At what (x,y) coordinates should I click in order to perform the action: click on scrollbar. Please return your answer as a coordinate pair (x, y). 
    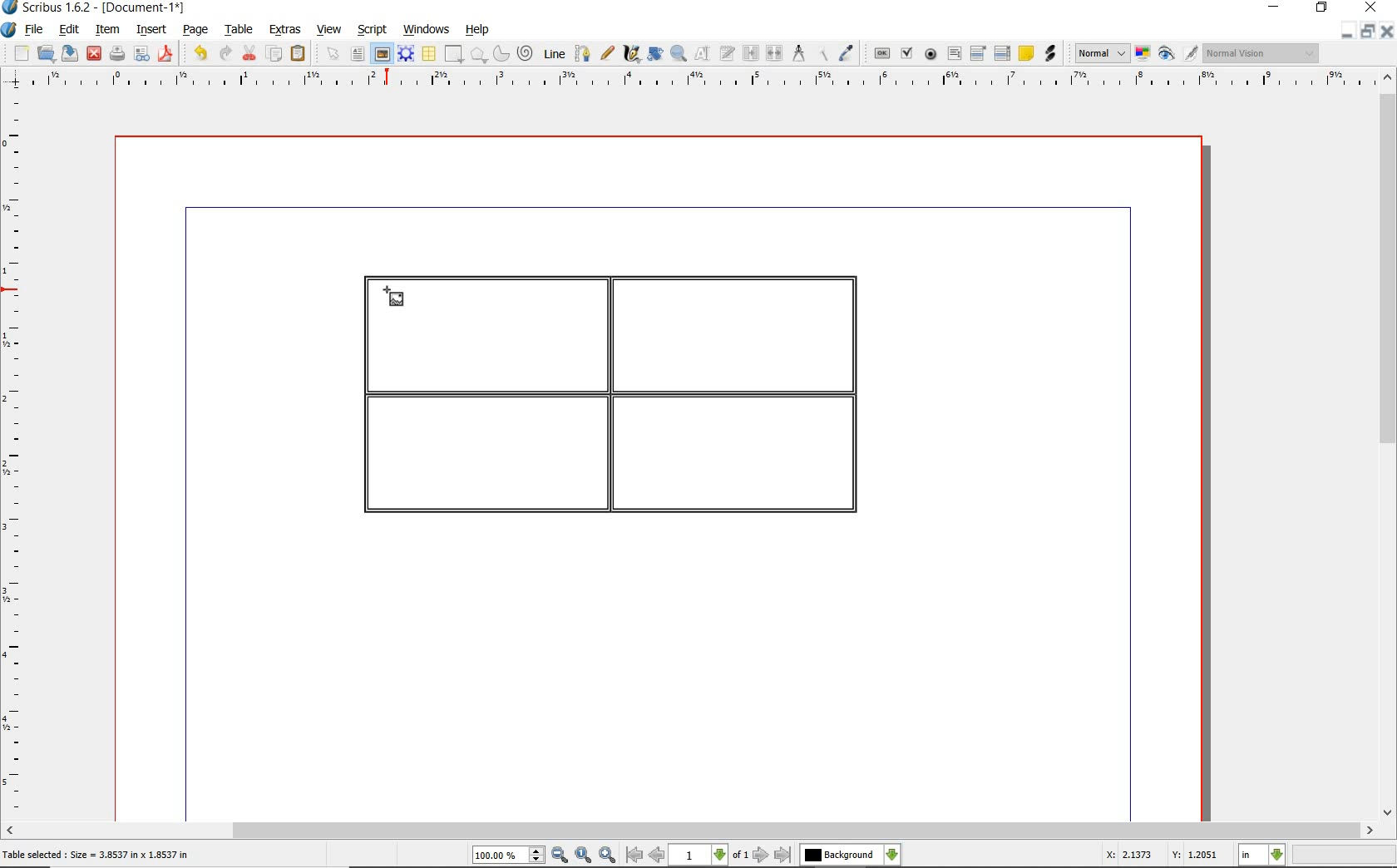
    Looking at the image, I should click on (1387, 446).